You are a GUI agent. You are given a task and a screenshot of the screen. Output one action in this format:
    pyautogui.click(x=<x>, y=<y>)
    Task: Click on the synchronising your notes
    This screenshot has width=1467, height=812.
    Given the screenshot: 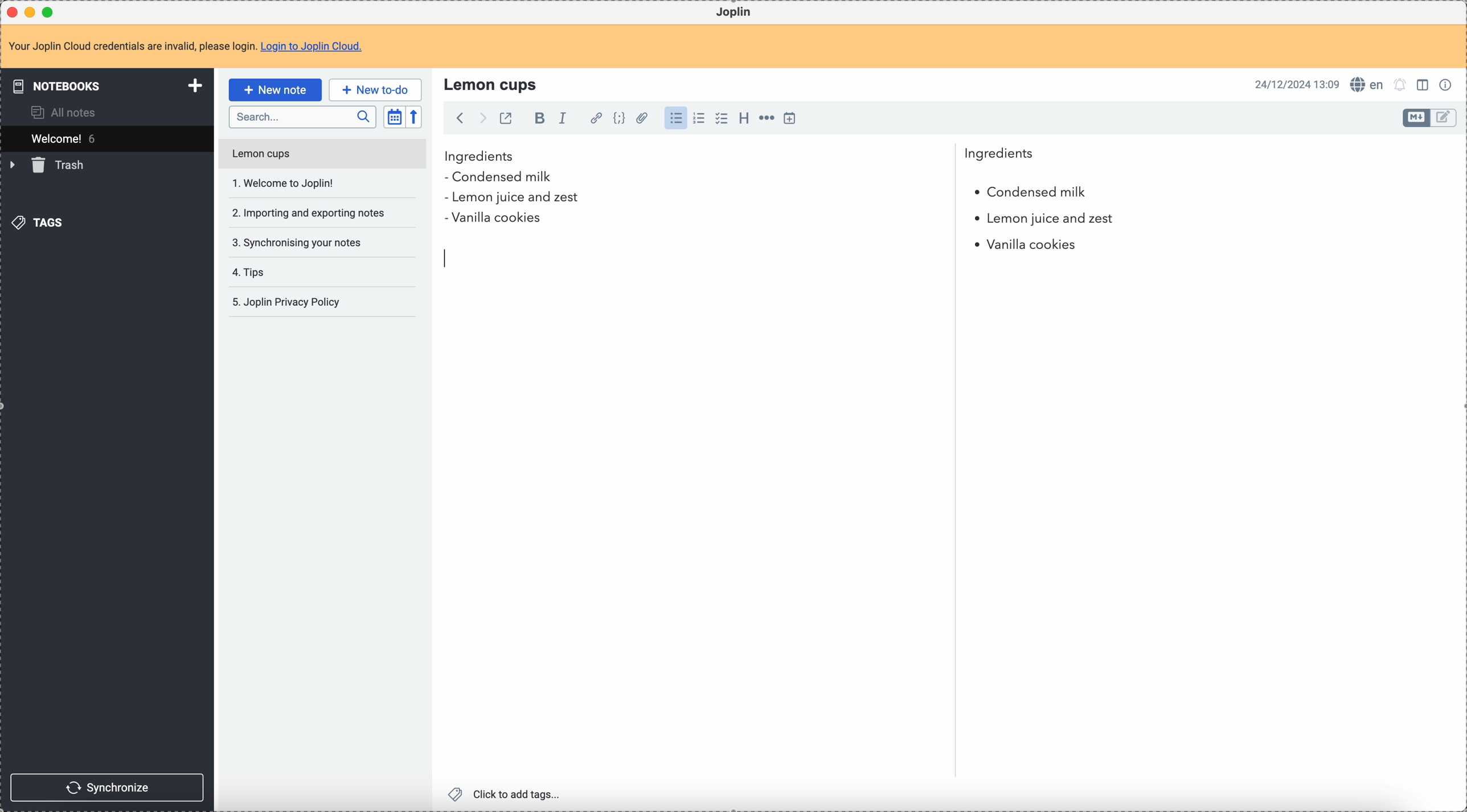 What is the action you would take?
    pyautogui.click(x=296, y=241)
    